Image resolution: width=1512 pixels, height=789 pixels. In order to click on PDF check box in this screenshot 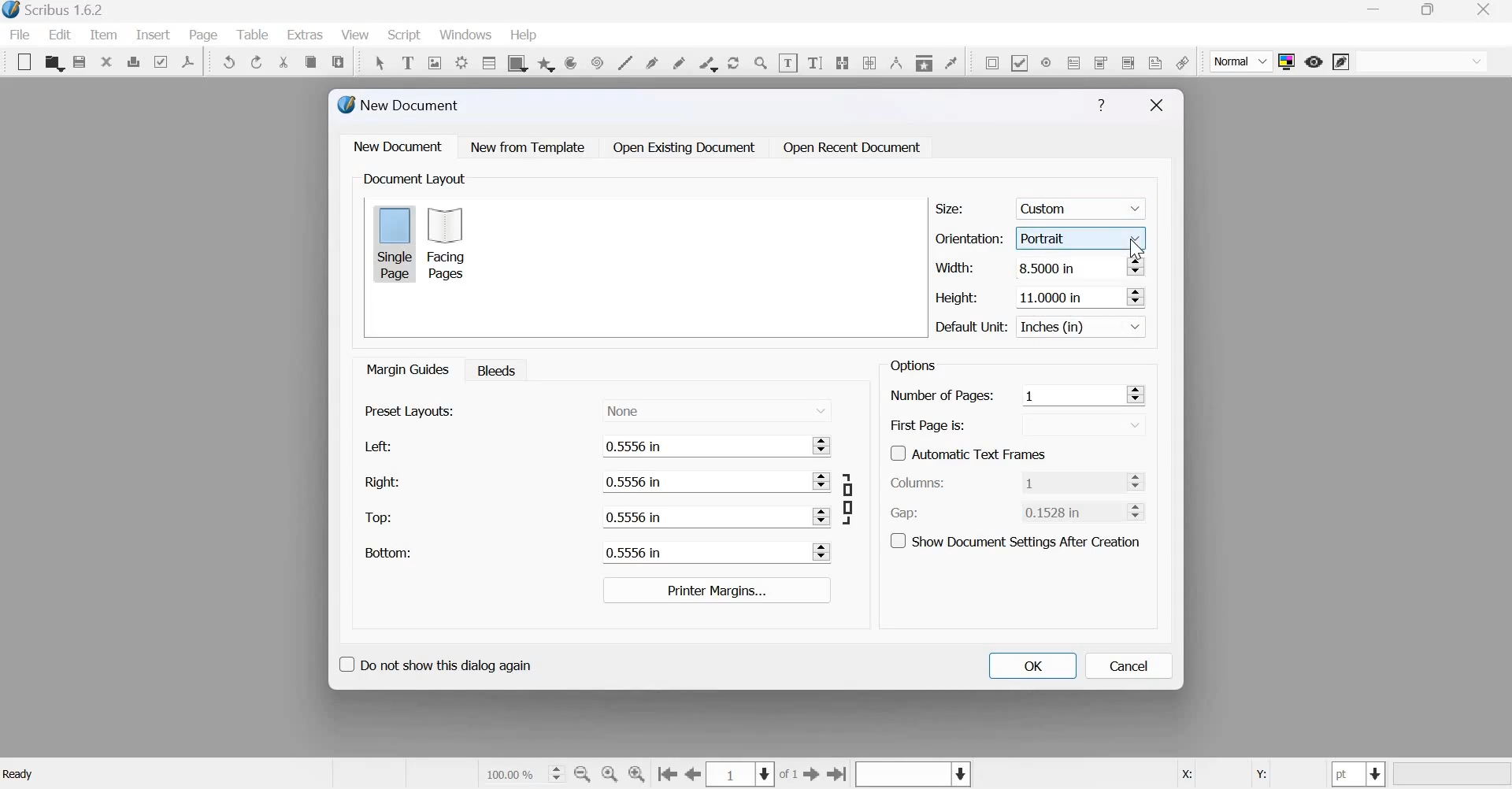, I will do `click(1019, 61)`.